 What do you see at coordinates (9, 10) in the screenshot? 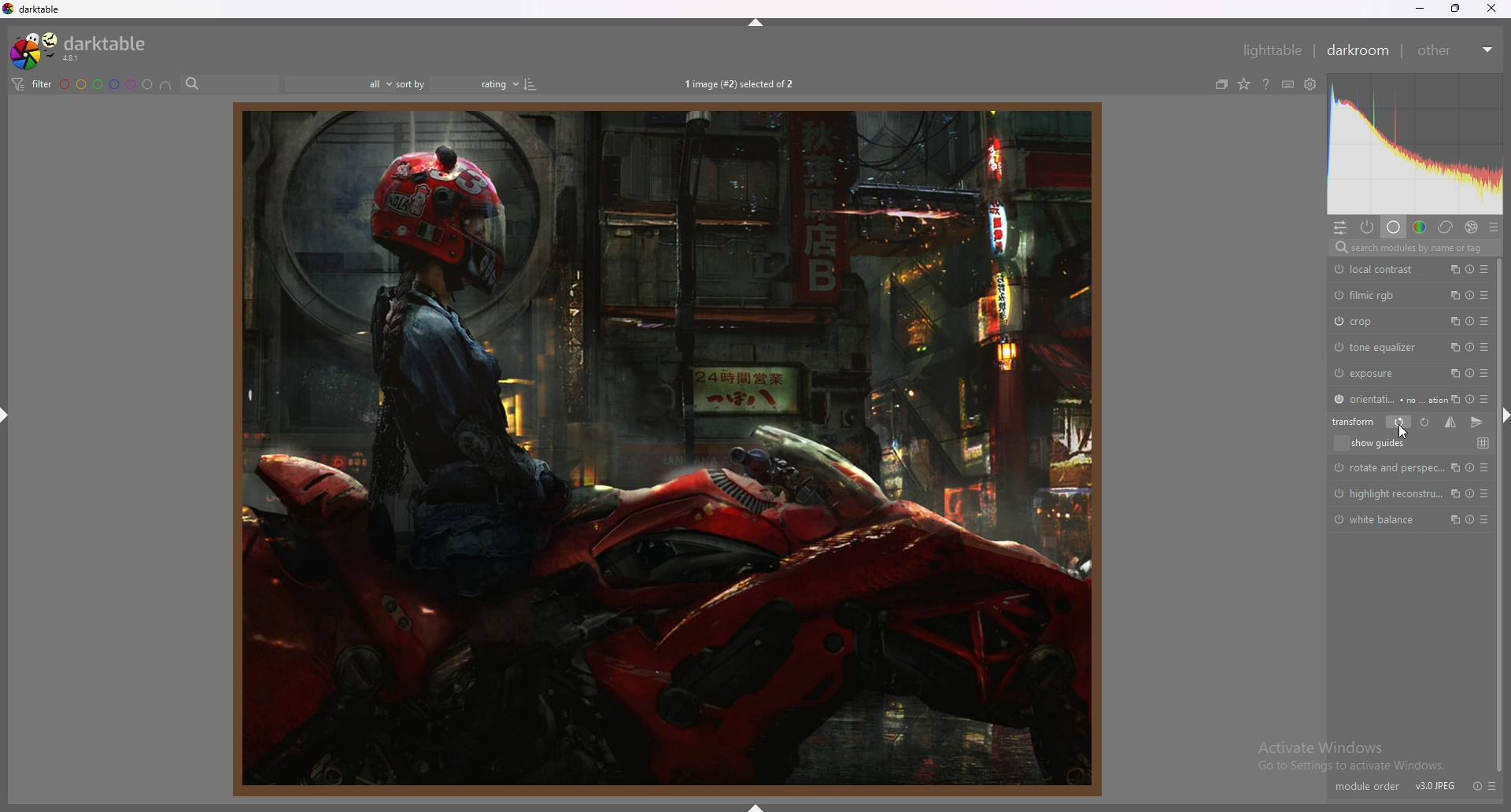
I see `darktable logo` at bounding box center [9, 10].